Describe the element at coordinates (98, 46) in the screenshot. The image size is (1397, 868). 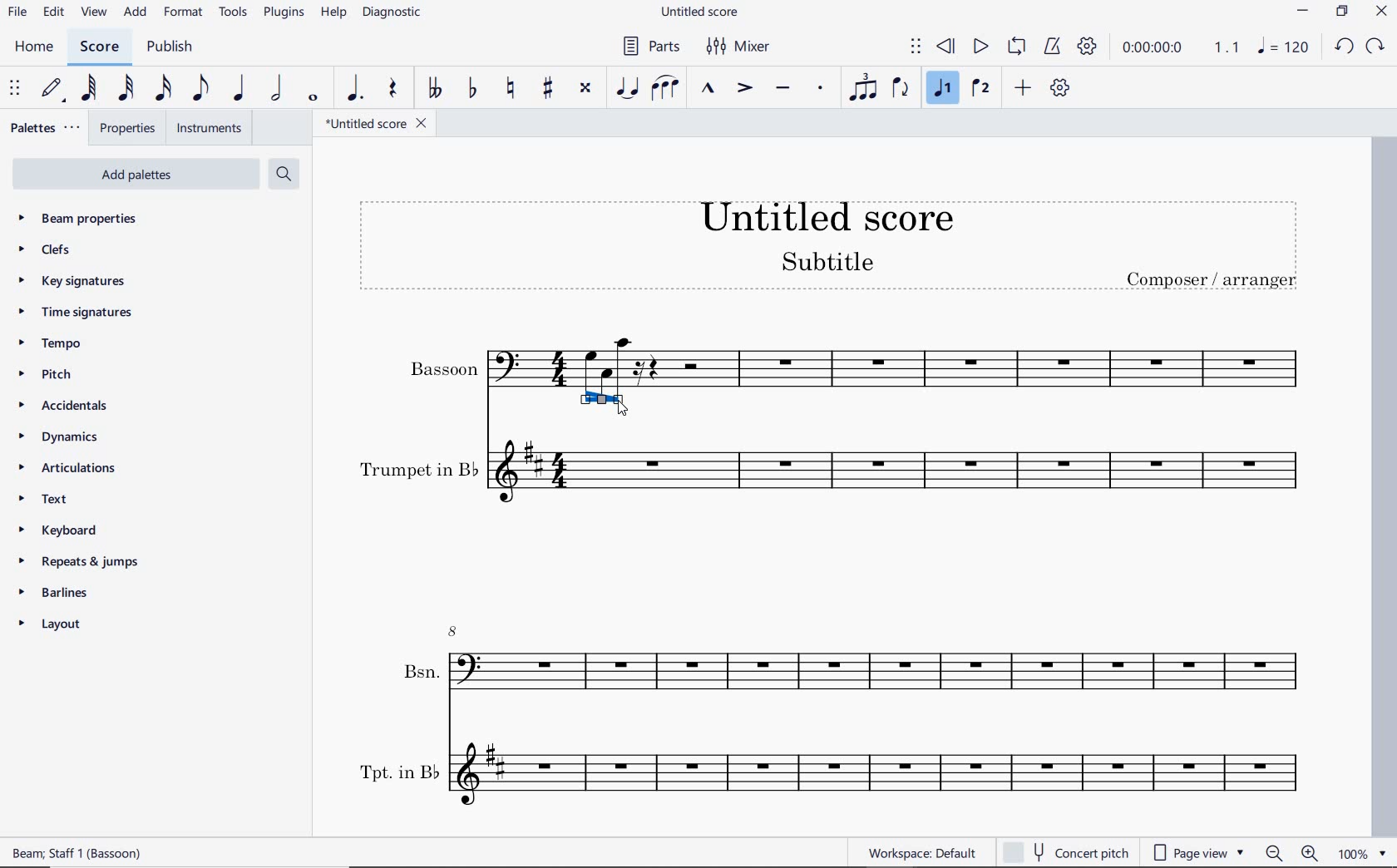
I see `score` at that location.